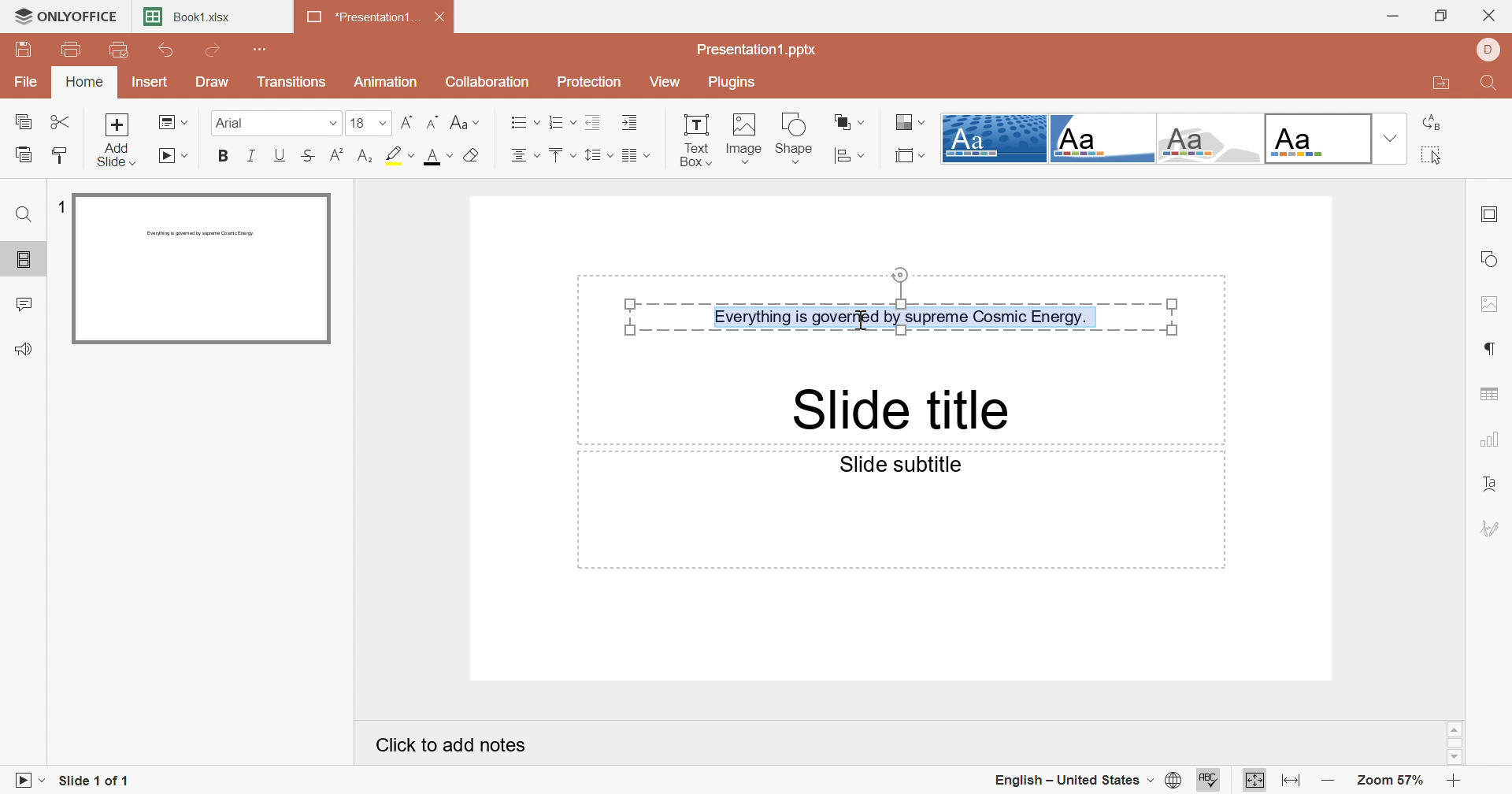 This screenshot has height=794, width=1512. Describe the element at coordinates (1490, 442) in the screenshot. I see `Chart settings` at that location.